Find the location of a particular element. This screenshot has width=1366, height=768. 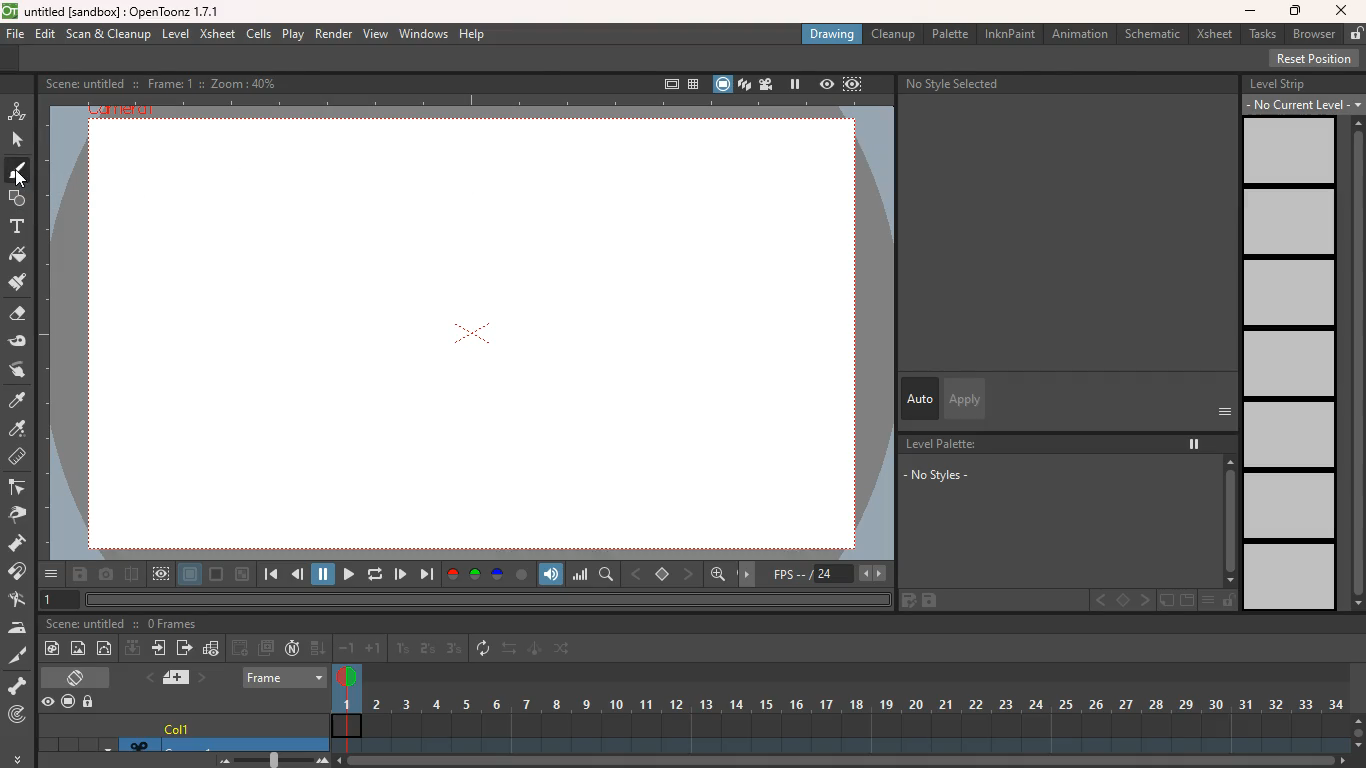

forward is located at coordinates (426, 575).